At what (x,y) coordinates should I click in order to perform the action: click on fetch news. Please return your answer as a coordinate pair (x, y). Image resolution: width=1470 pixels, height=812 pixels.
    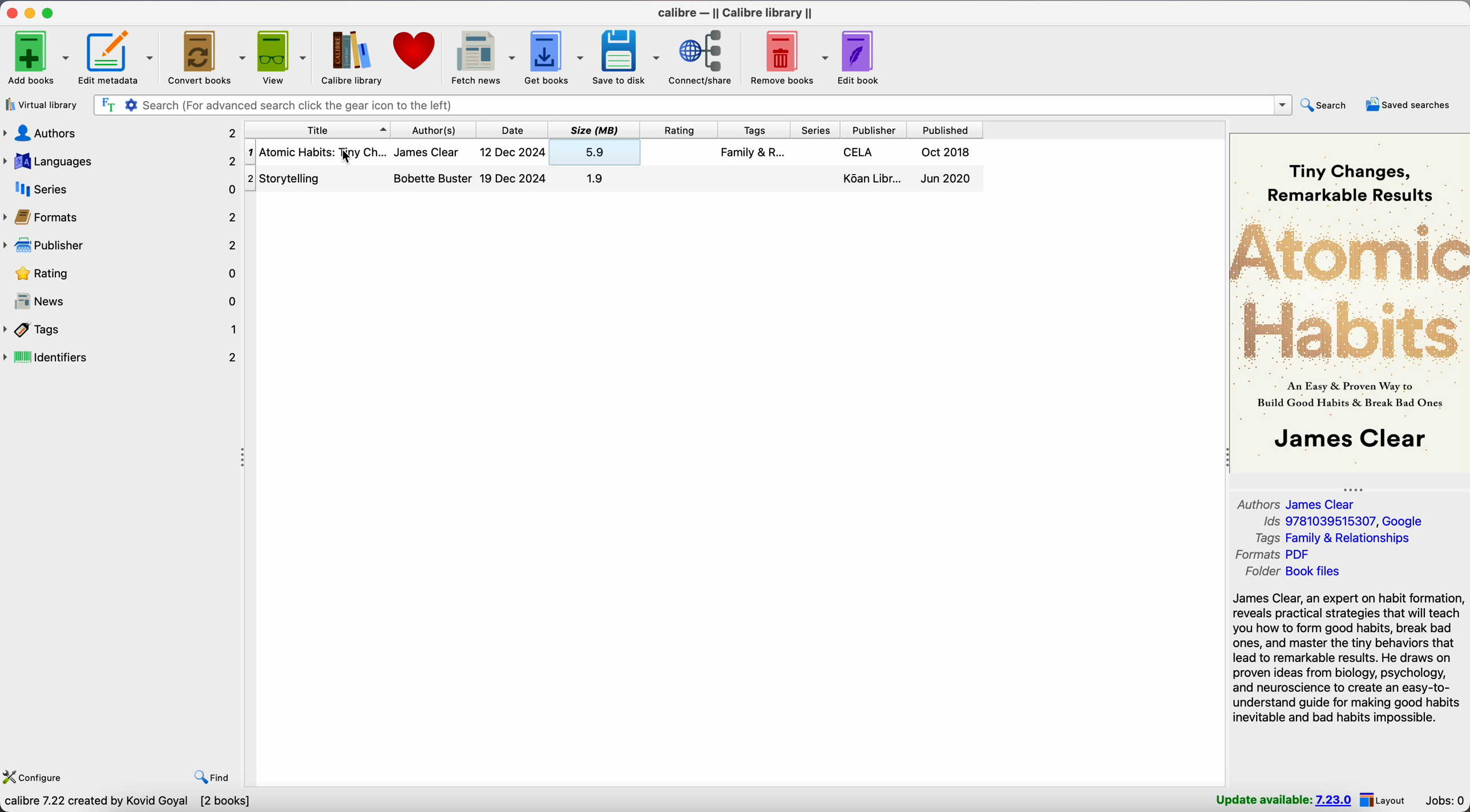
    Looking at the image, I should click on (480, 56).